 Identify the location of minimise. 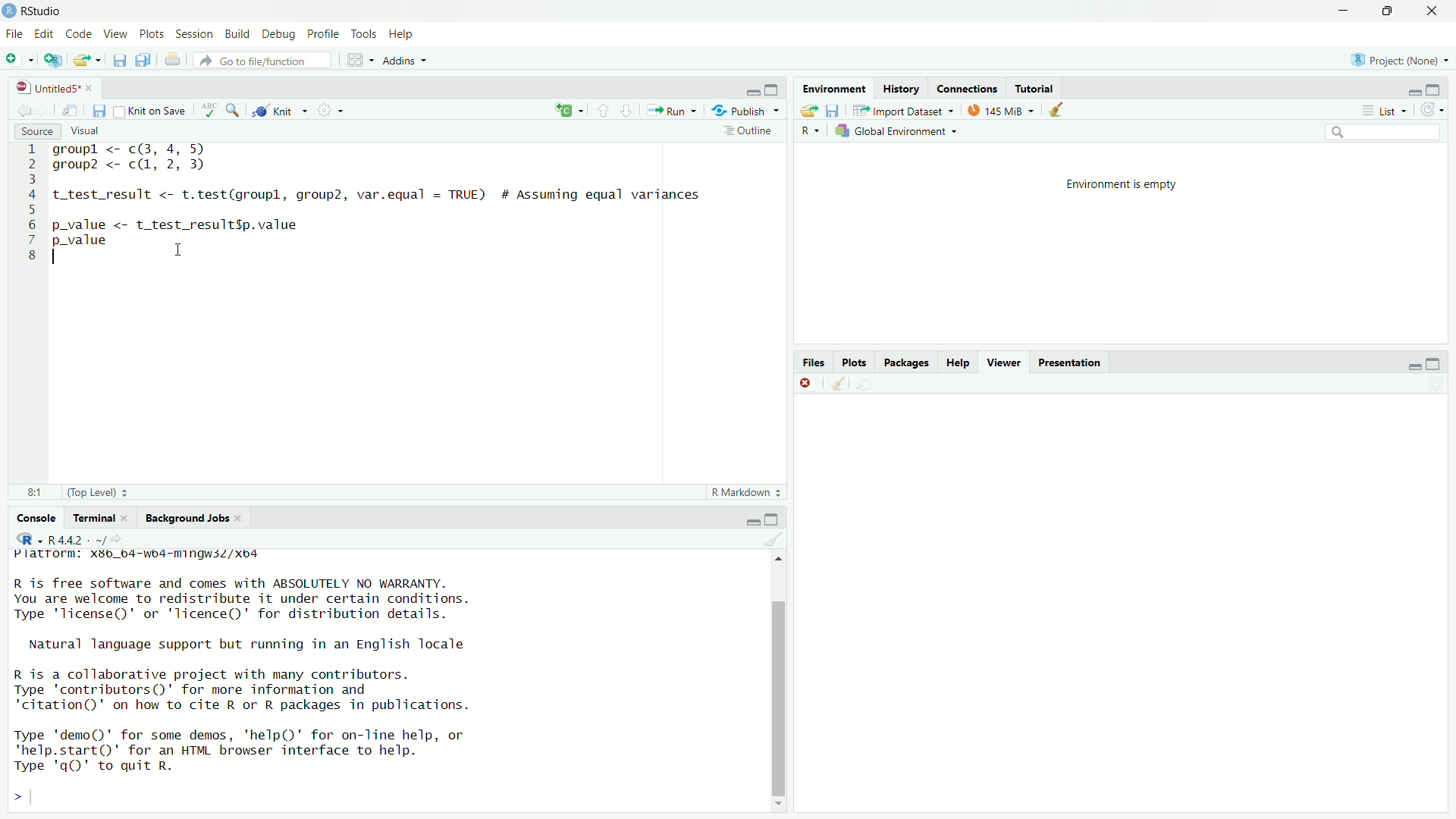
(754, 519).